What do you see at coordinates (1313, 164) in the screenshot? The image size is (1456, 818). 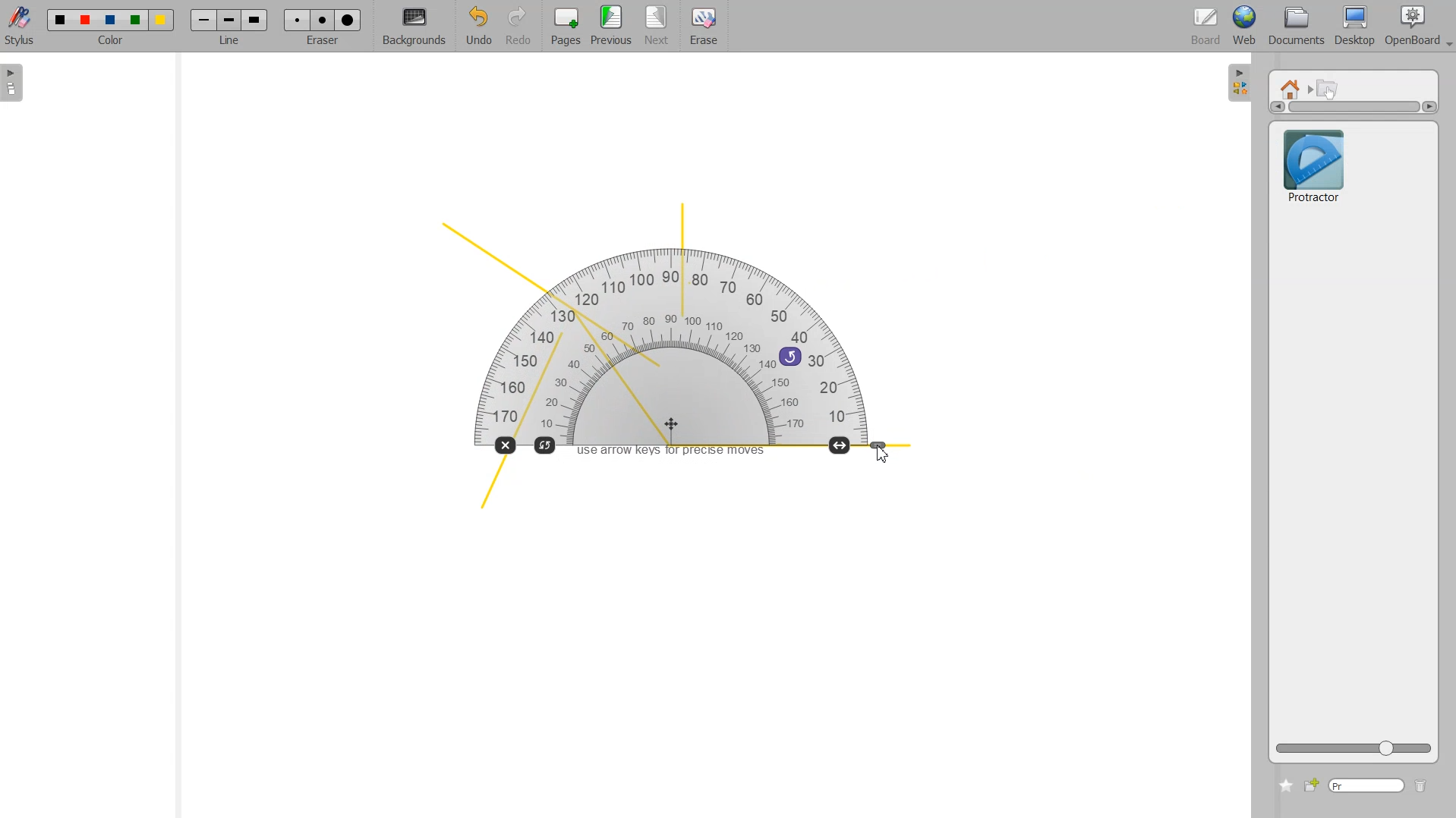 I see `Protractor` at bounding box center [1313, 164].